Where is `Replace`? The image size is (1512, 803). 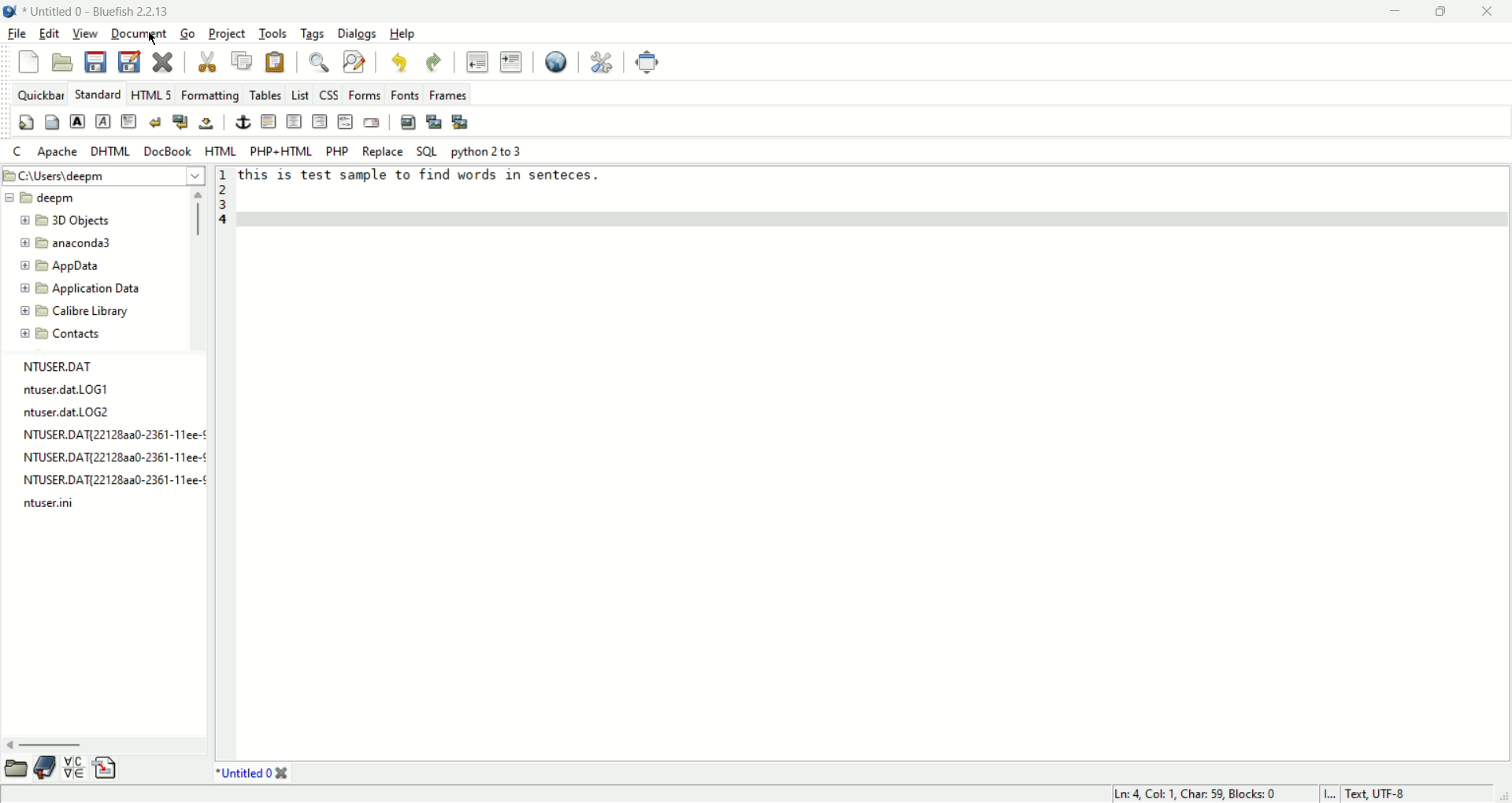 Replace is located at coordinates (380, 151).